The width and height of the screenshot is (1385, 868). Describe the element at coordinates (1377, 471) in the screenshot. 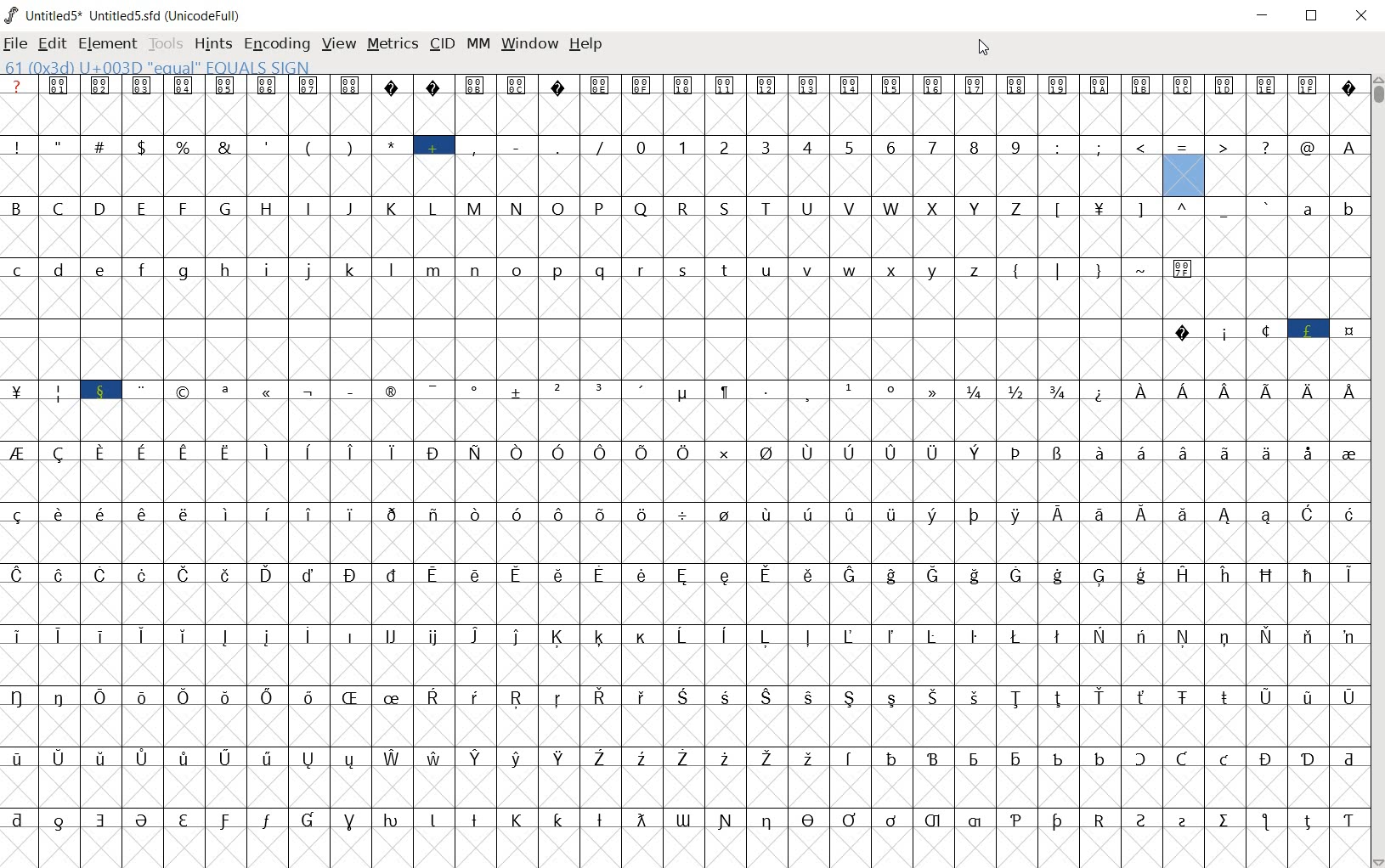

I see `scrollbar` at that location.